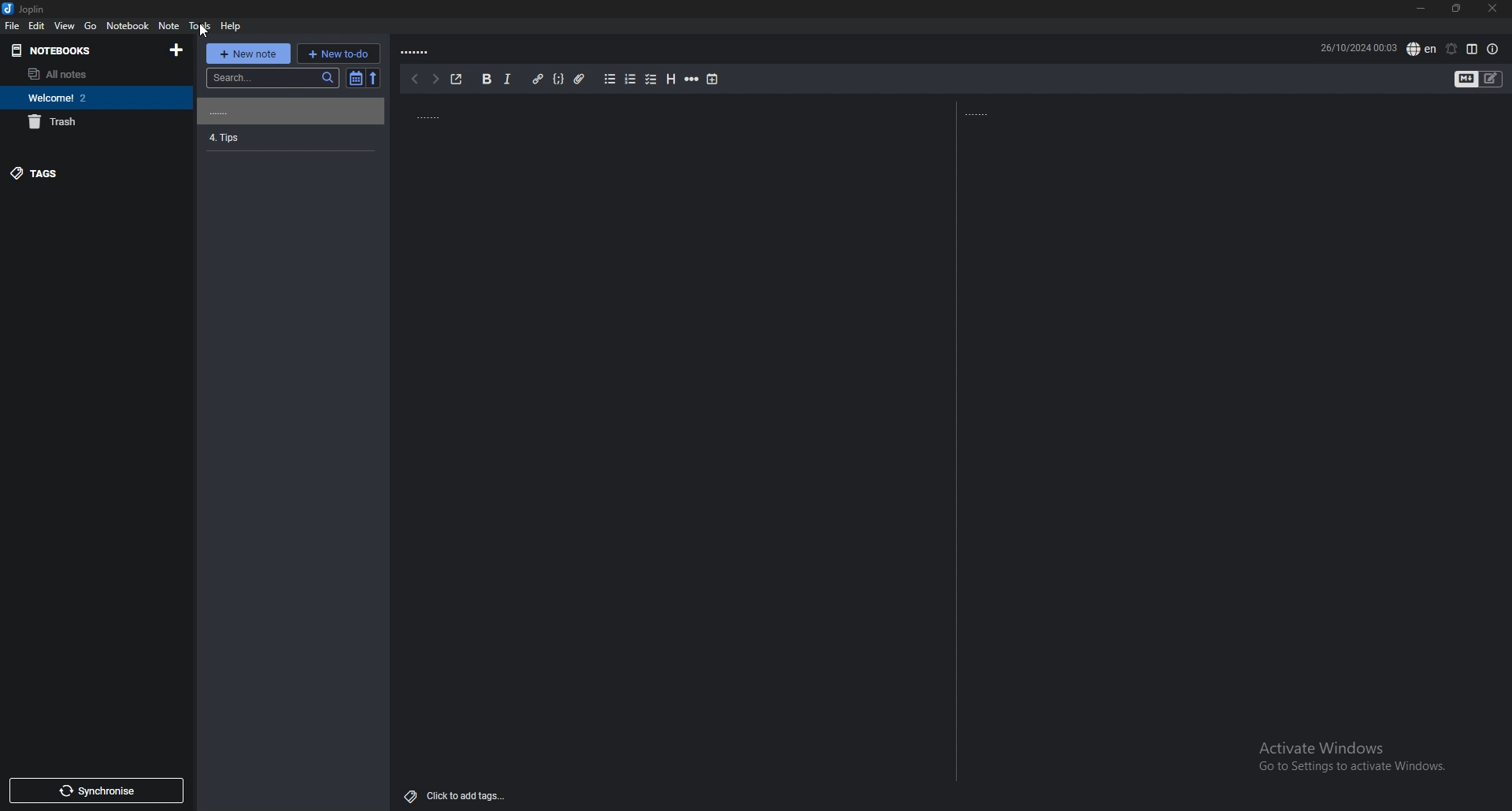  I want to click on , so click(1347, 758).